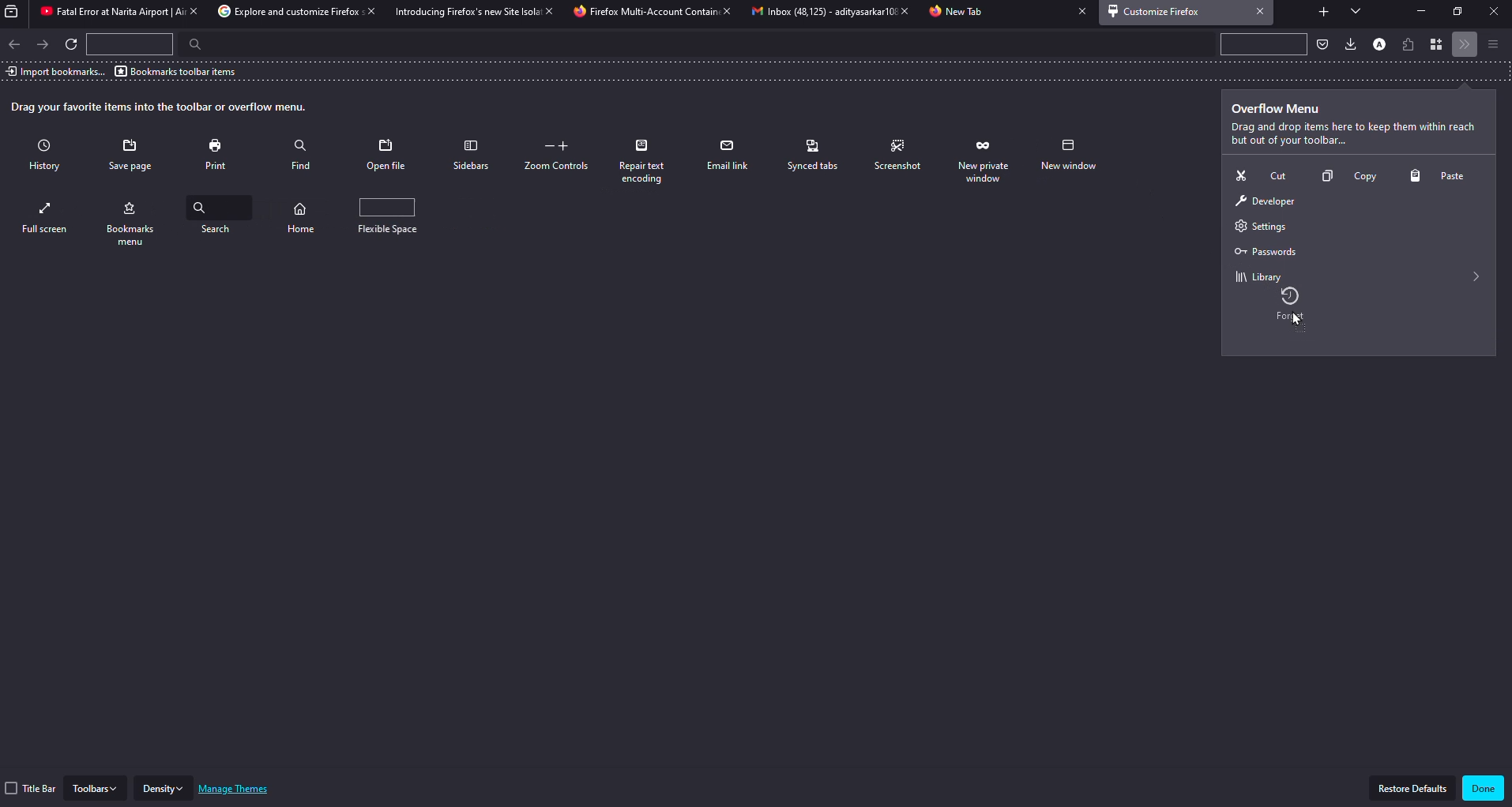 The height and width of the screenshot is (807, 1512). Describe the element at coordinates (190, 44) in the screenshot. I see `search` at that location.